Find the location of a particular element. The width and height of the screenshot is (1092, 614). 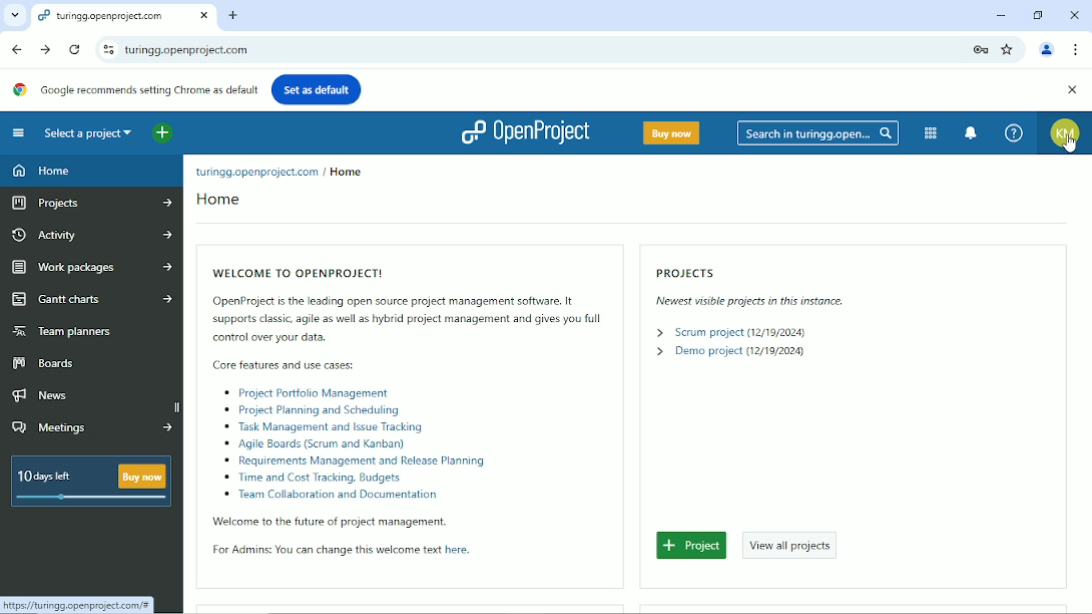

Restore down is located at coordinates (1038, 14).